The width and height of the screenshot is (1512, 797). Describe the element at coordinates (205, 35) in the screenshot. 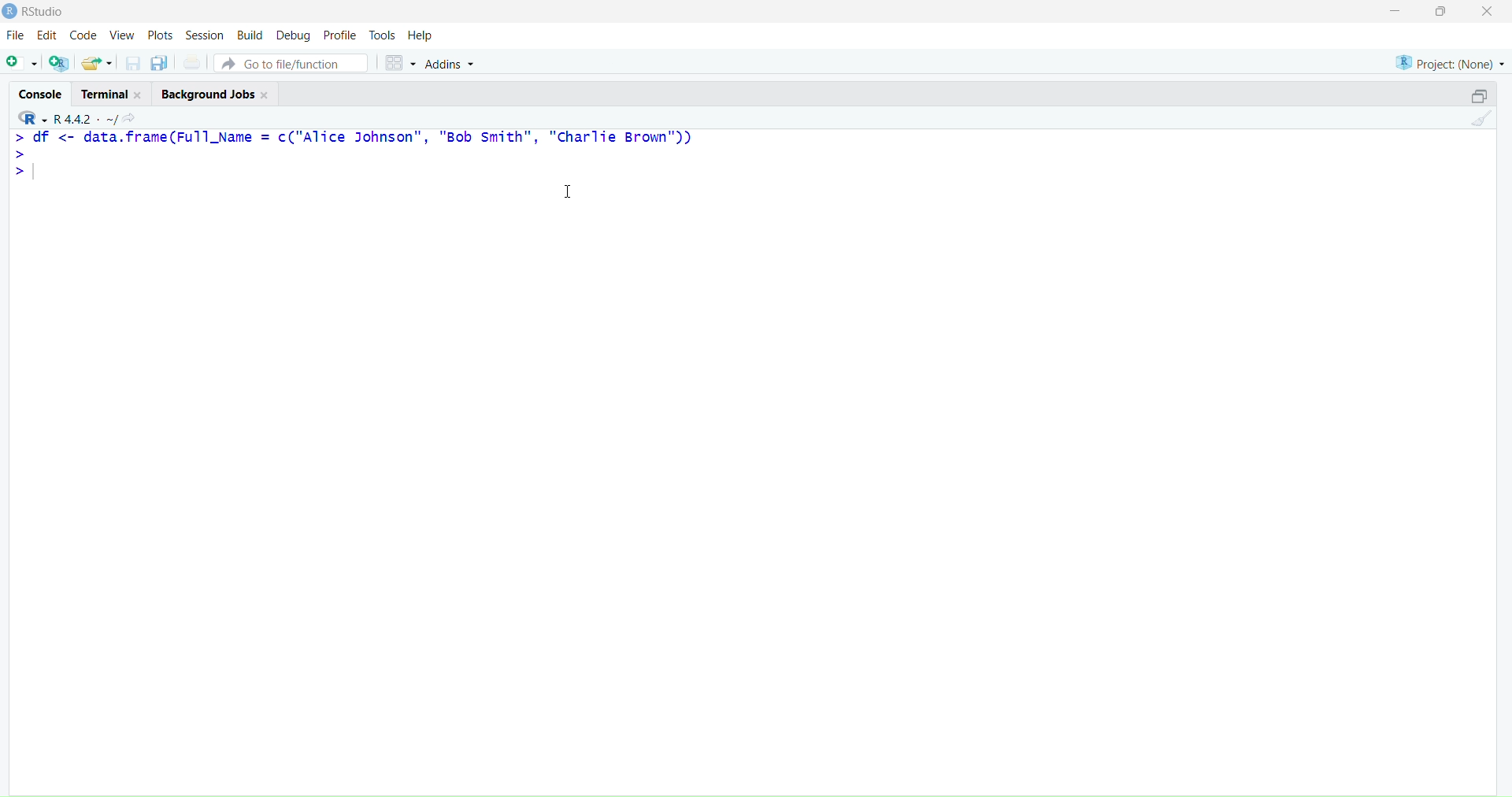

I see `Session` at that location.